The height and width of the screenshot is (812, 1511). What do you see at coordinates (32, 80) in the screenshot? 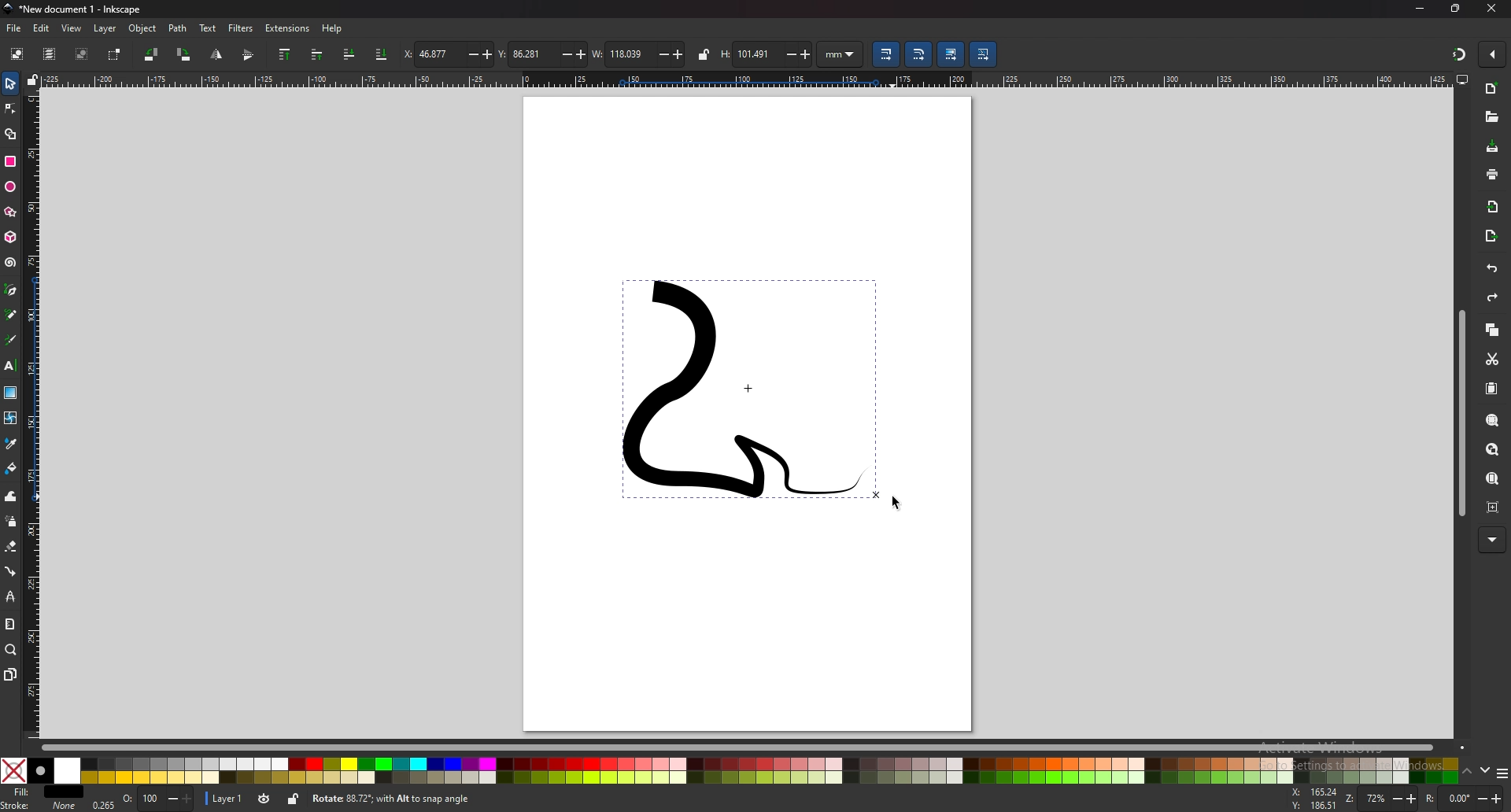
I see `lock guides` at bounding box center [32, 80].